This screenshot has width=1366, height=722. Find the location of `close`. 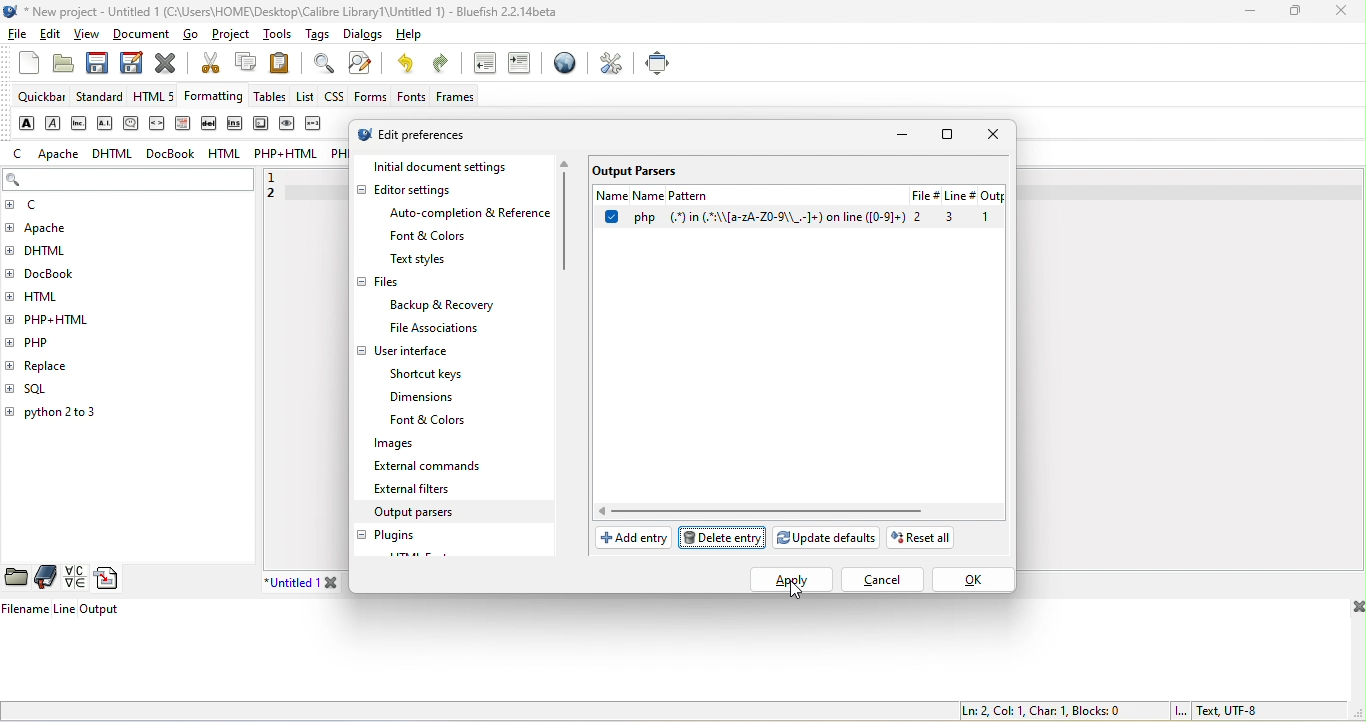

close is located at coordinates (990, 135).